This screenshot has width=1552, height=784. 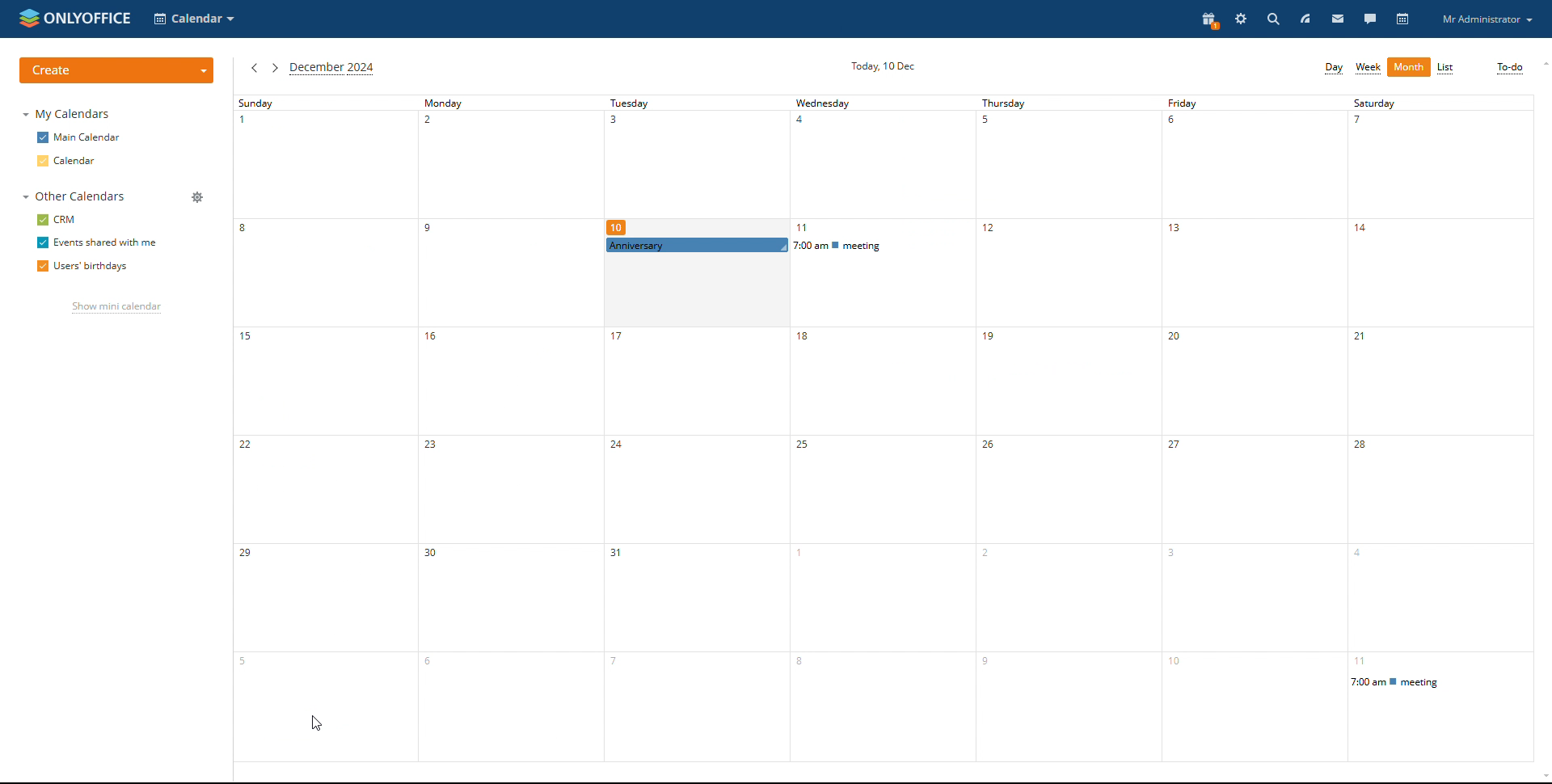 I want to click on search, so click(x=1272, y=19).